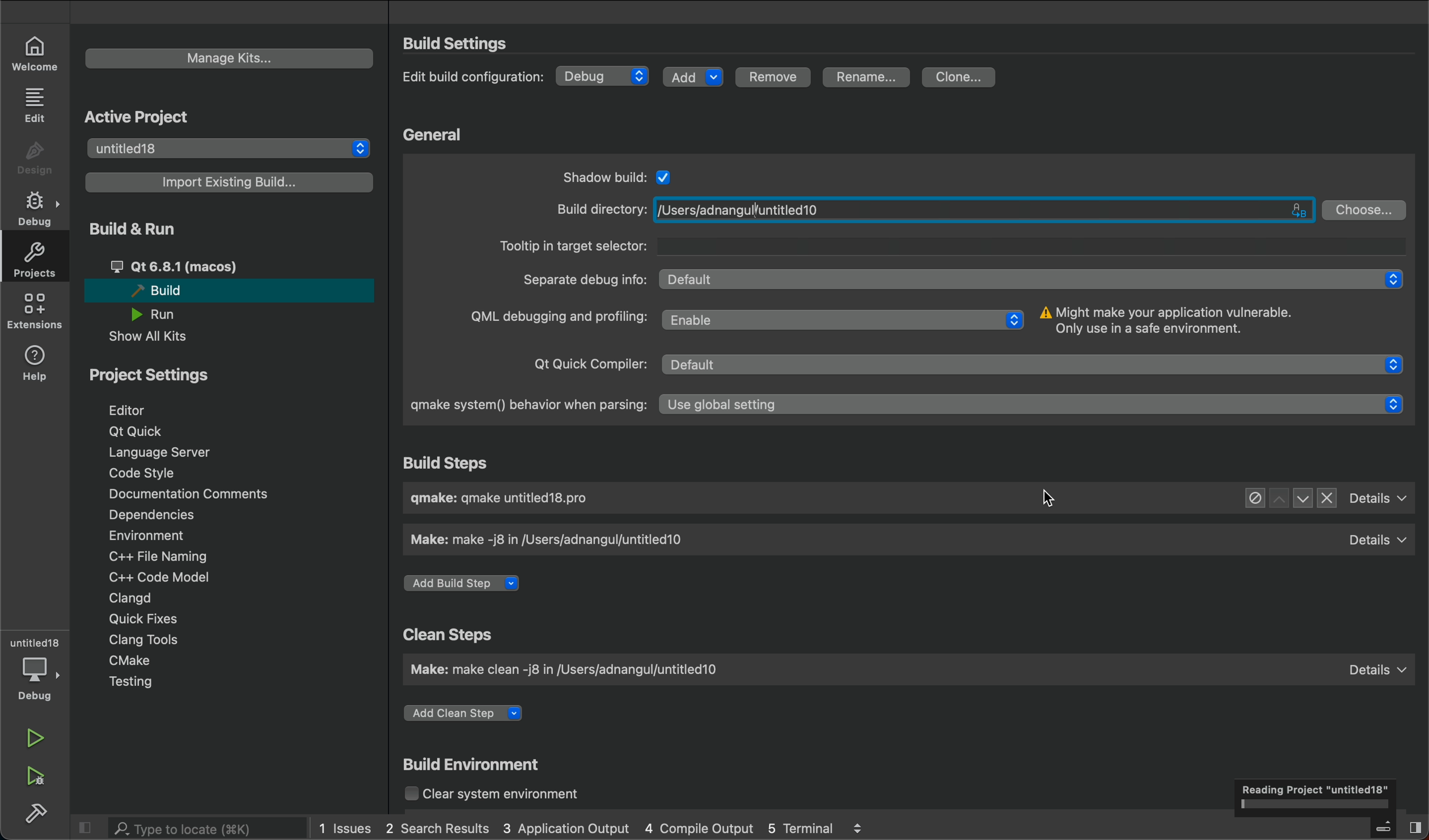 The height and width of the screenshot is (840, 1429). What do you see at coordinates (844, 318) in the screenshot?
I see `Enable` at bounding box center [844, 318].